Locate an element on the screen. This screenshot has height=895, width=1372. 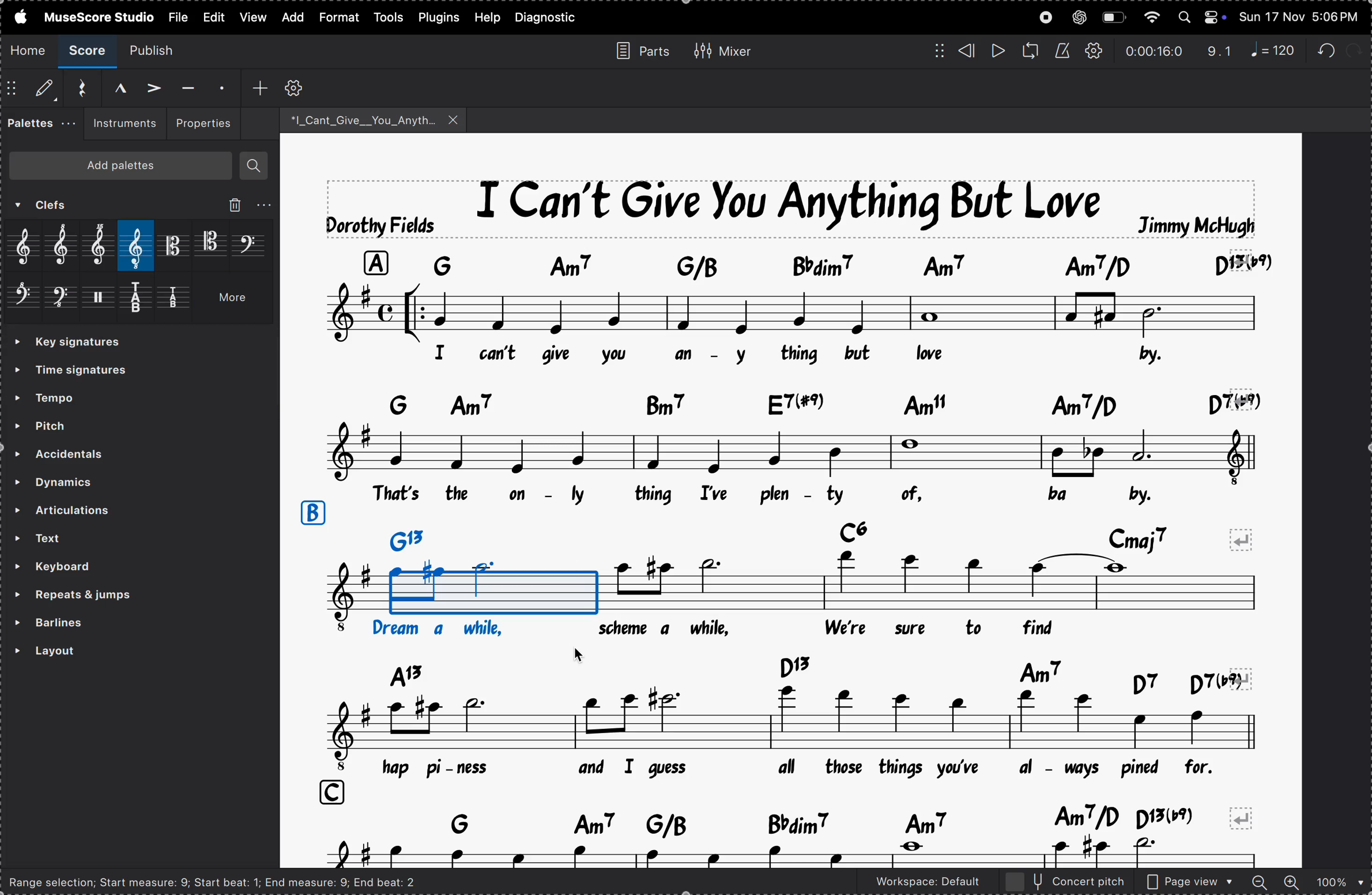
redo is located at coordinates (1220, 51).